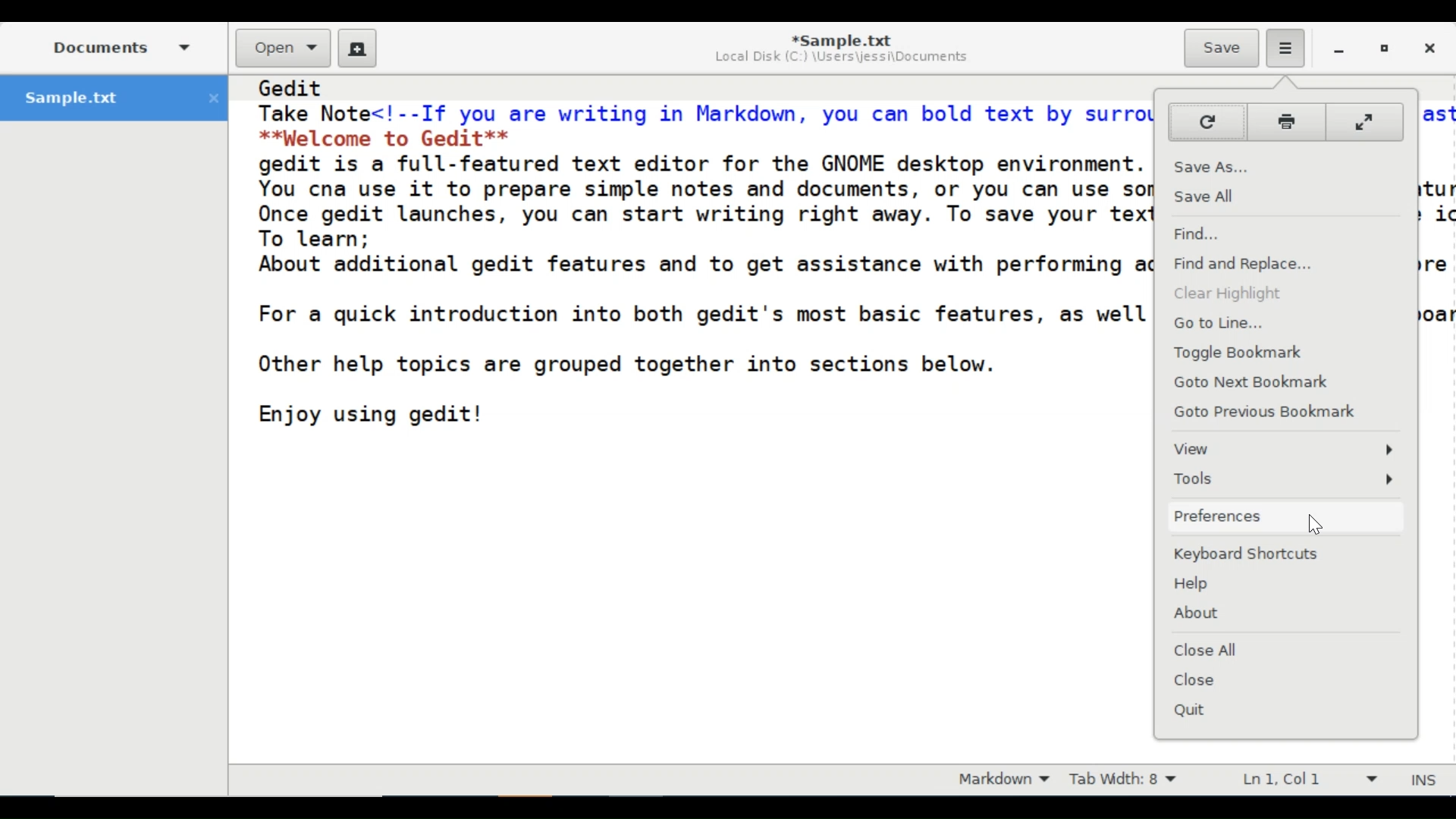 This screenshot has height=819, width=1456. Describe the element at coordinates (1366, 122) in the screenshot. I see `Fullscreen` at that location.